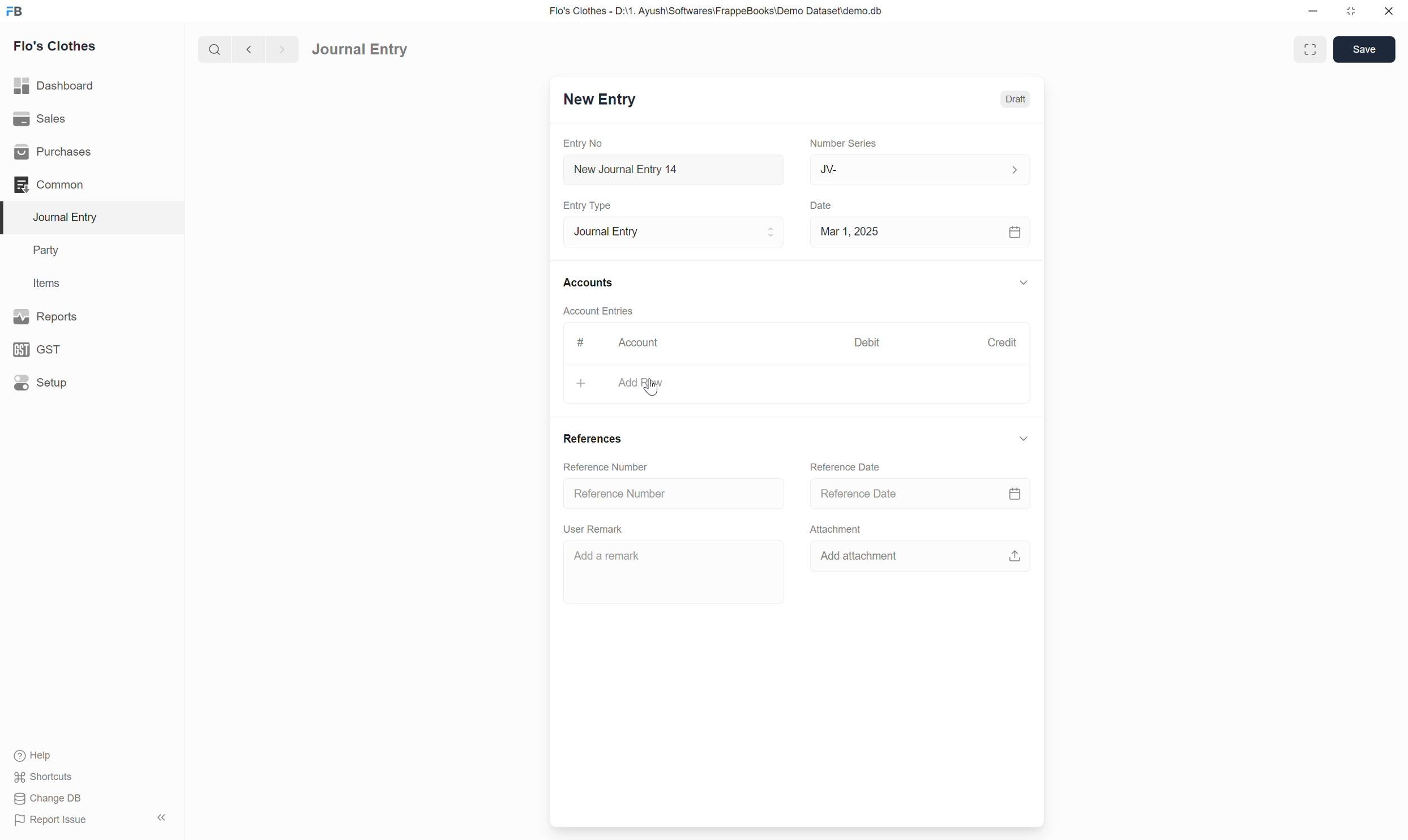 The height and width of the screenshot is (840, 1408). I want to click on Save, so click(1365, 50).